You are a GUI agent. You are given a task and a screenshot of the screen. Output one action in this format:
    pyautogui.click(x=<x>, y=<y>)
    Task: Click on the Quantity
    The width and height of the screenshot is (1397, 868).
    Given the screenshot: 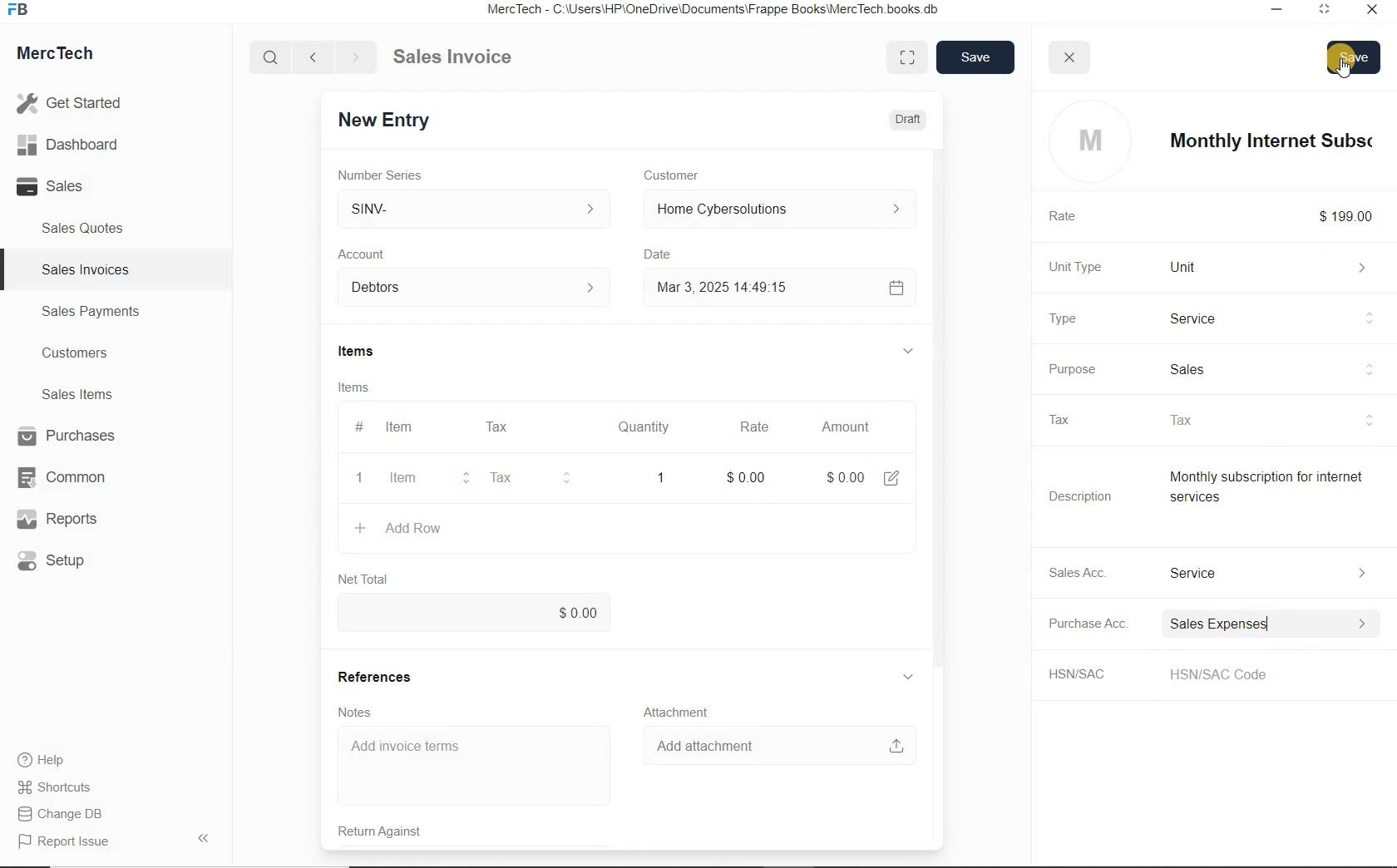 What is the action you would take?
    pyautogui.click(x=644, y=427)
    